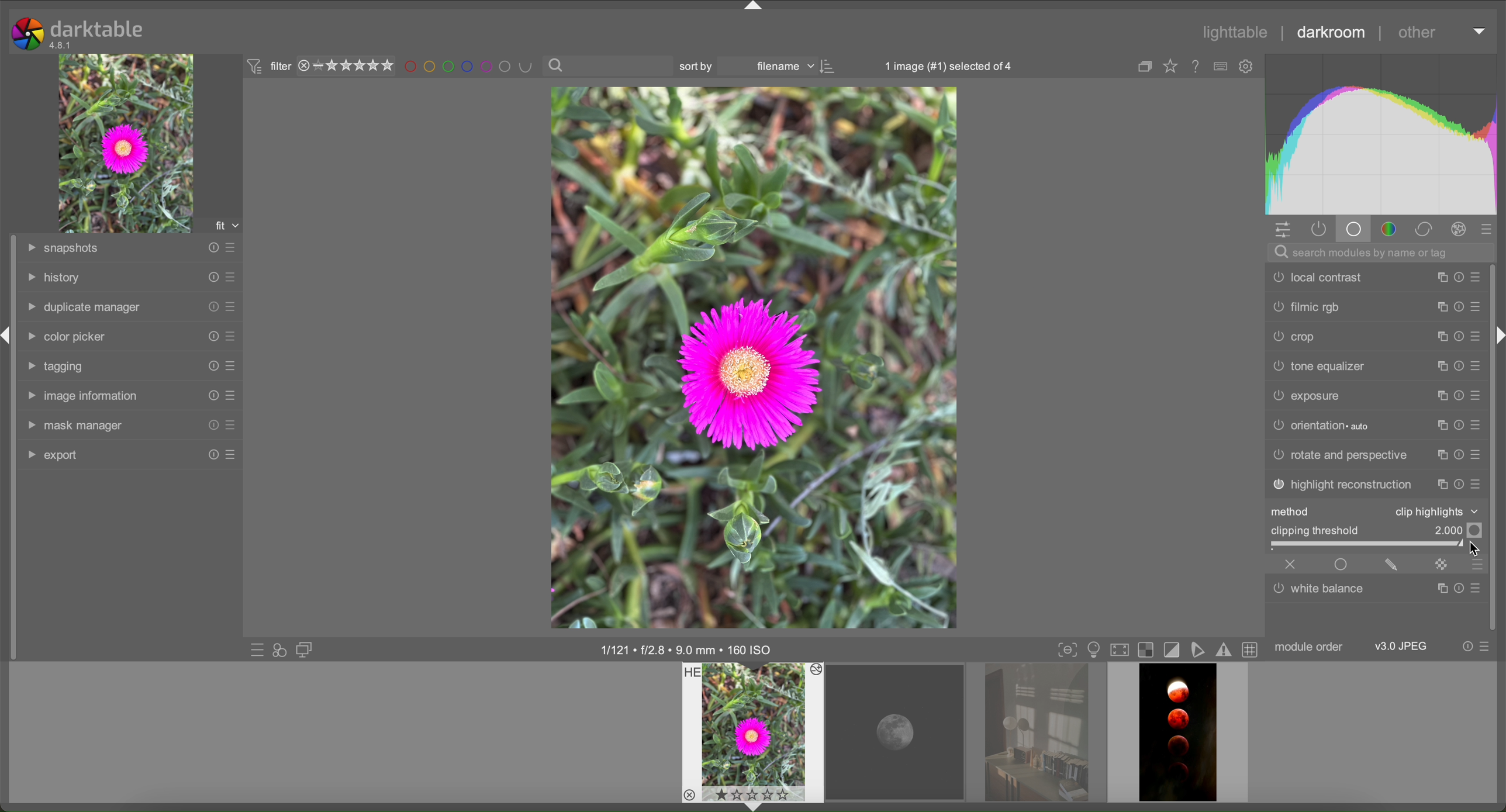 The image size is (1506, 812). I want to click on 1 image selected of 4, so click(942, 65).